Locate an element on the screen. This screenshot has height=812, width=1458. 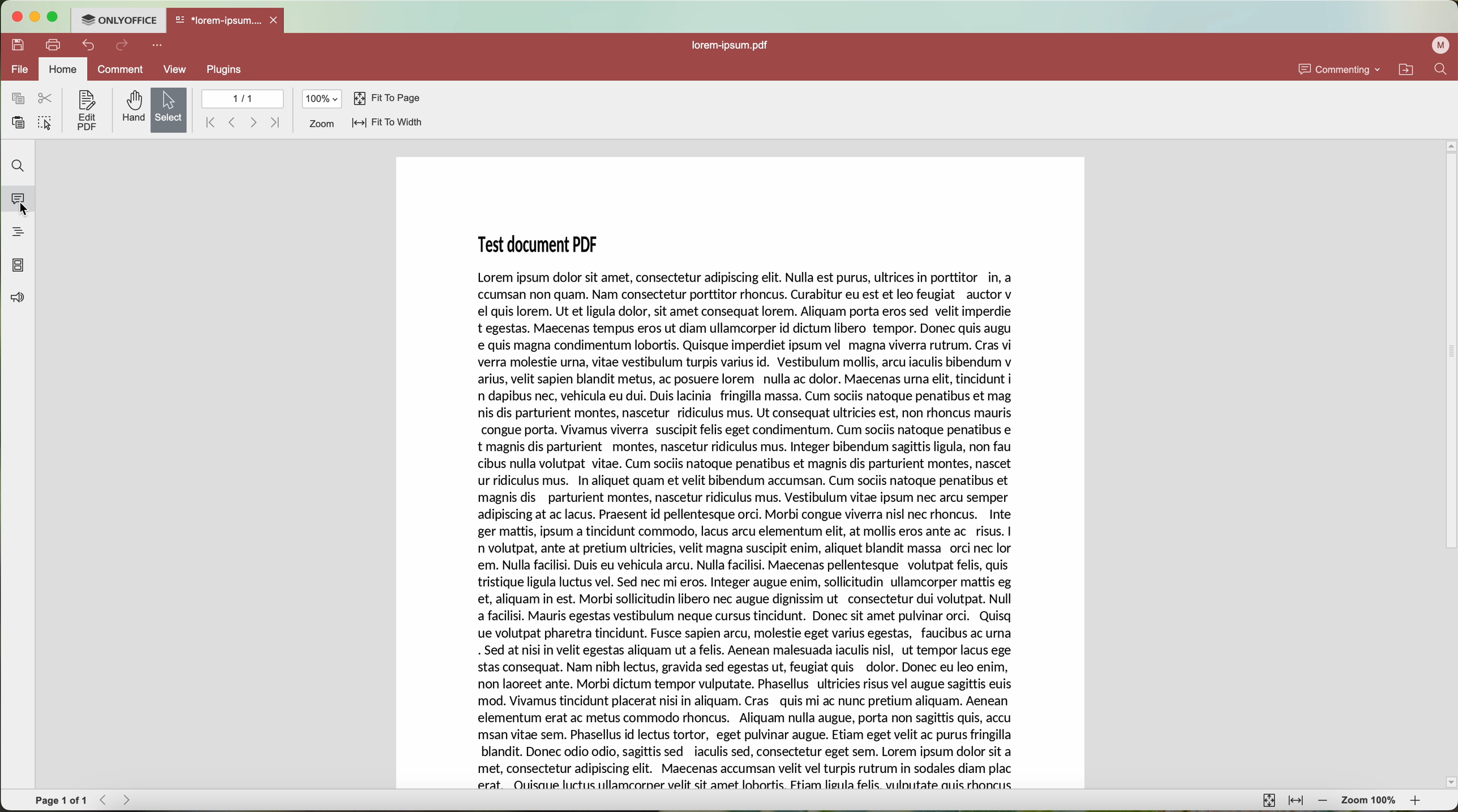
cut is located at coordinates (48, 98).